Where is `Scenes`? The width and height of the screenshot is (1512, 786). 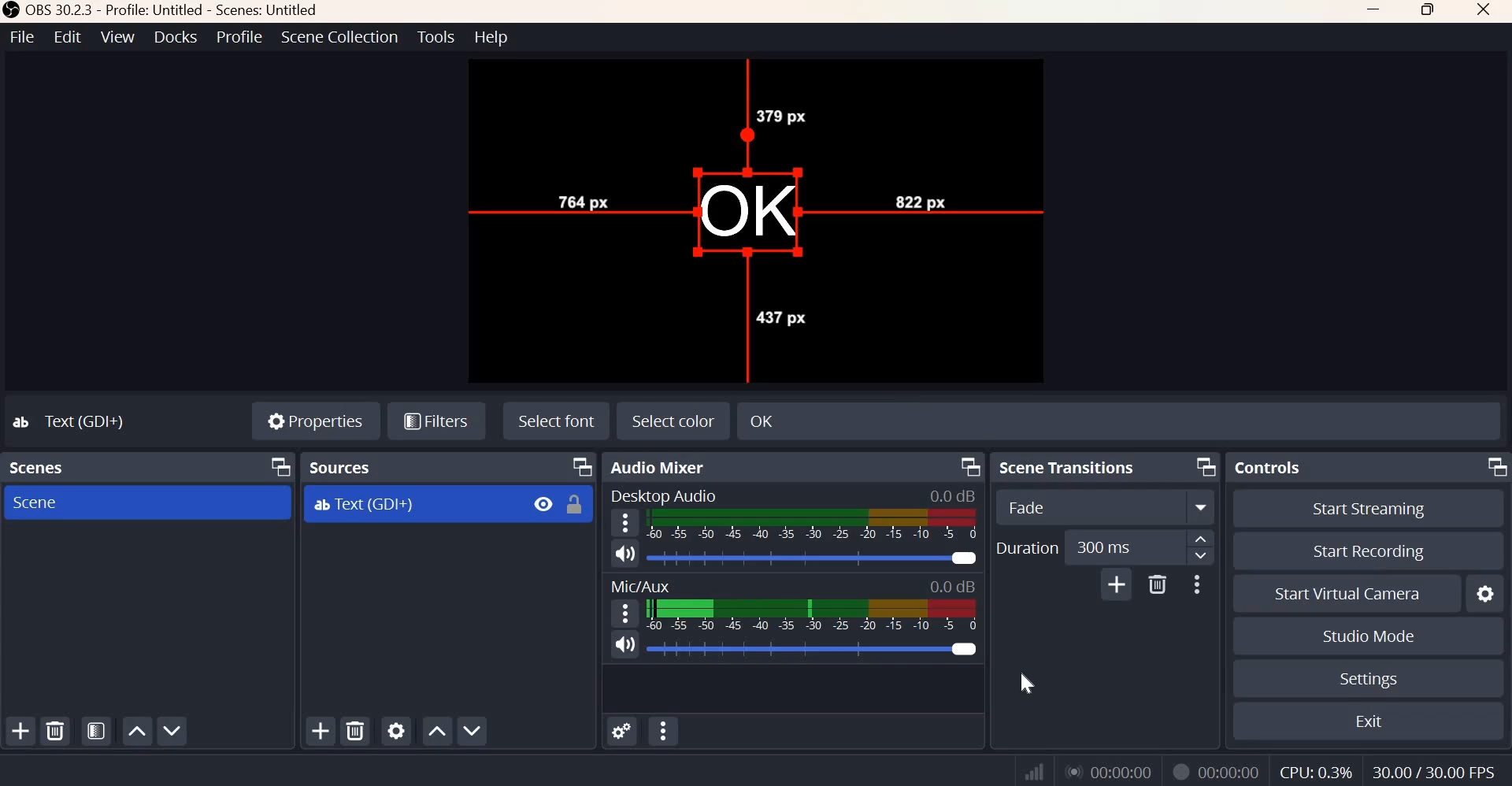 Scenes is located at coordinates (41, 467).